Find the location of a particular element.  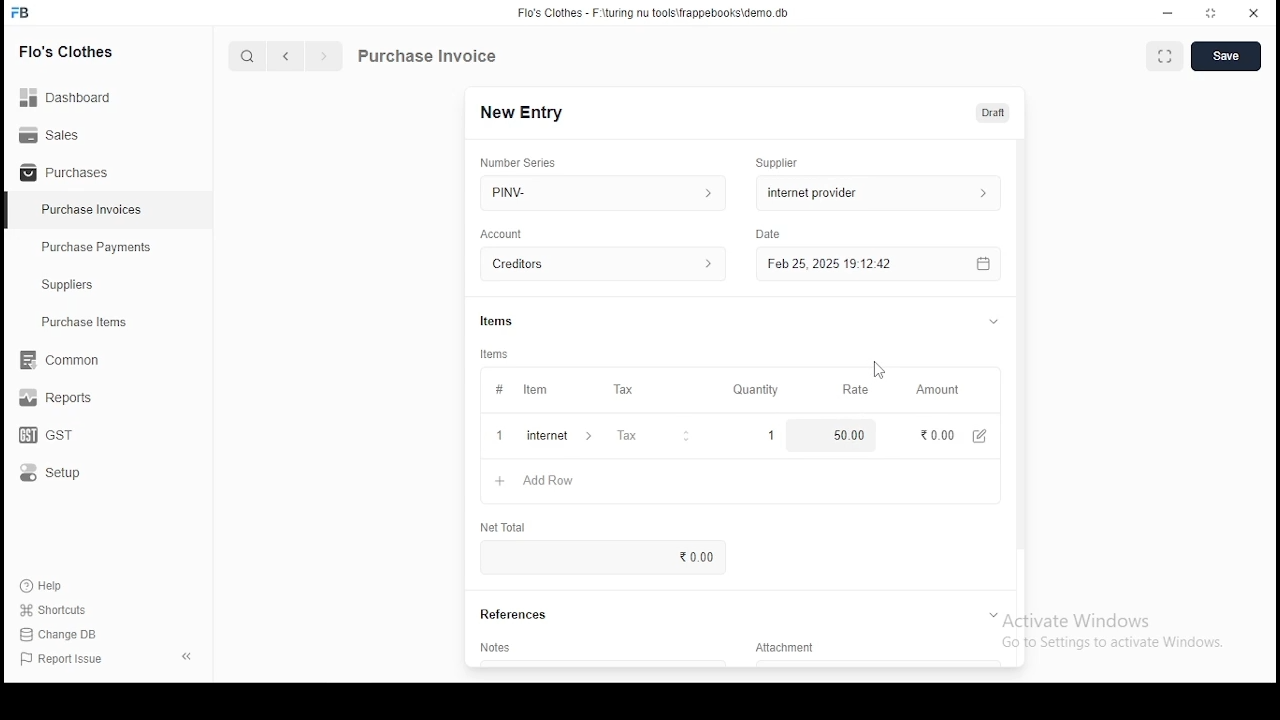

feb 25, 2025 19:12:42 is located at coordinates (877, 264).